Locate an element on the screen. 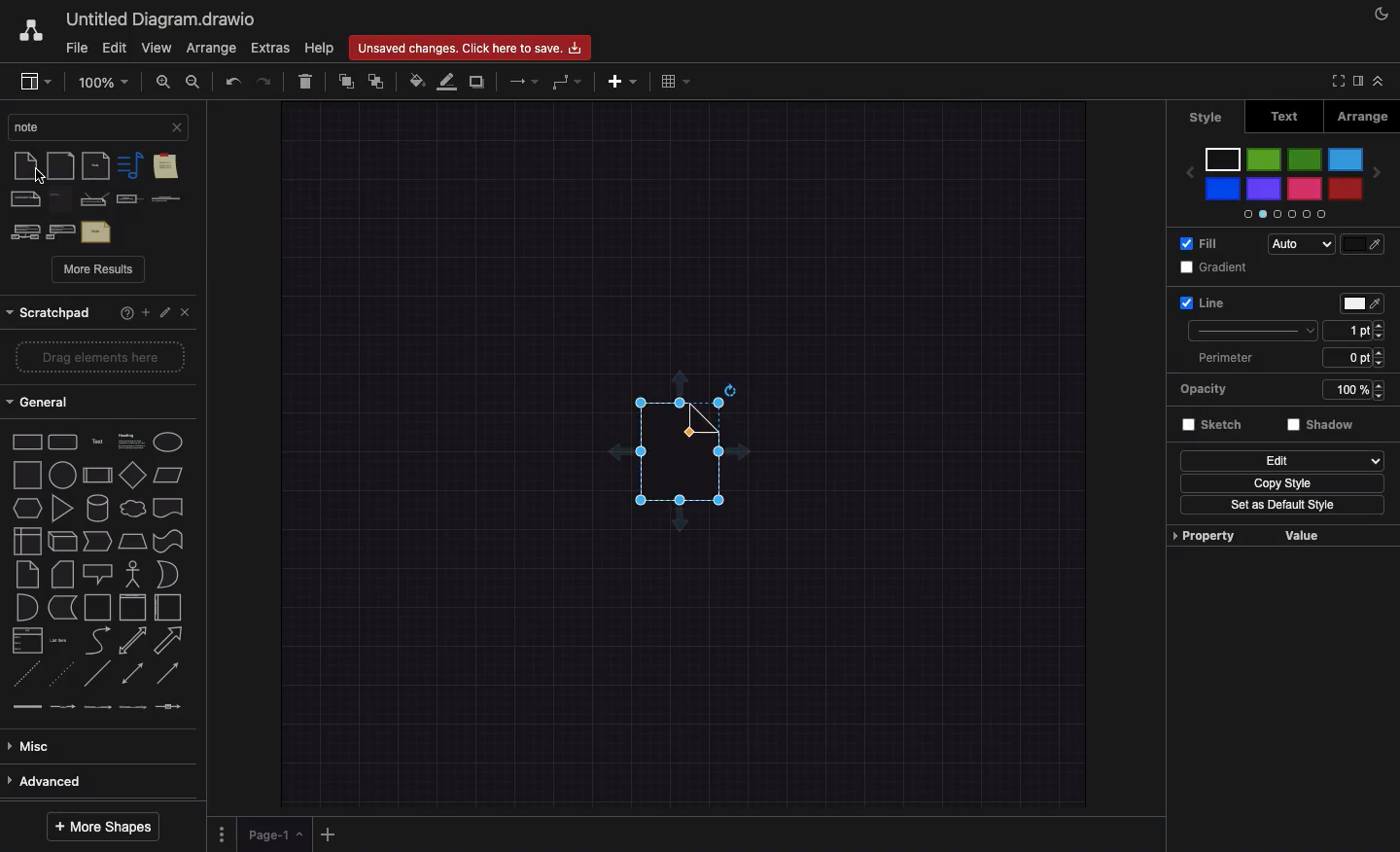 Image resolution: width=1400 pixels, height=852 pixels. searched text: note is located at coordinates (85, 125).